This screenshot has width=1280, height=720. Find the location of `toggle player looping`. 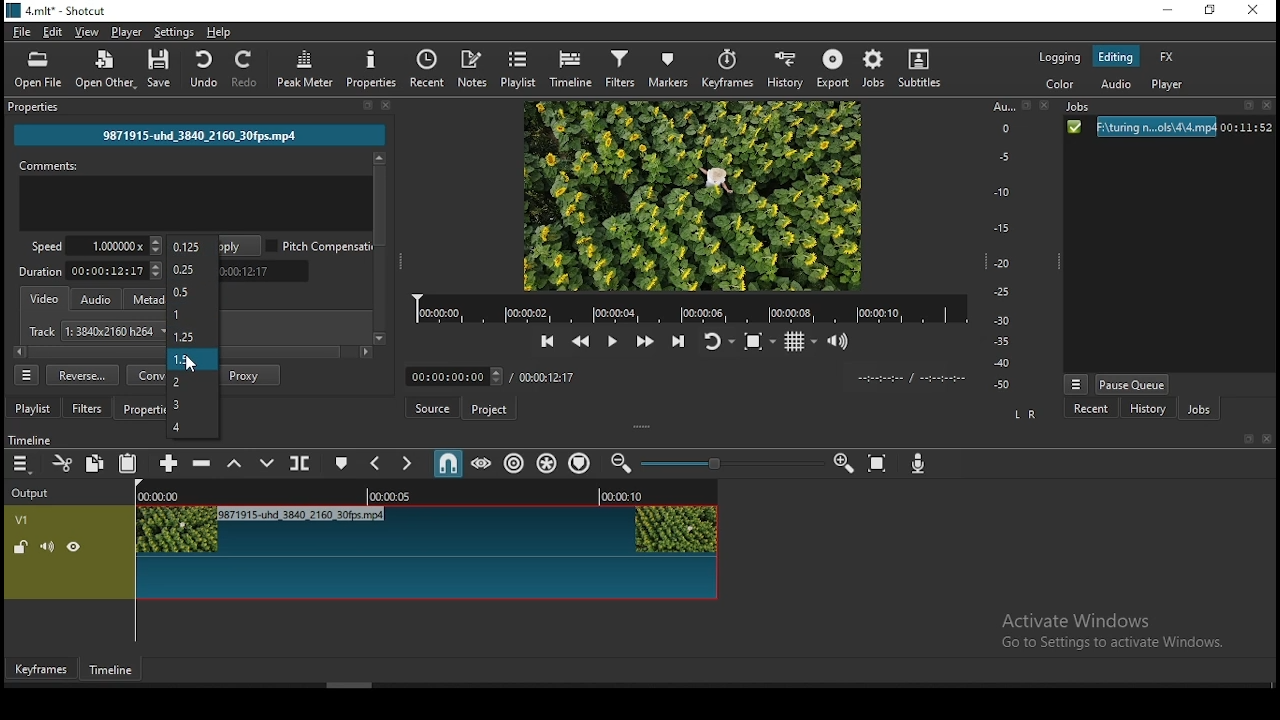

toggle player looping is located at coordinates (717, 346).